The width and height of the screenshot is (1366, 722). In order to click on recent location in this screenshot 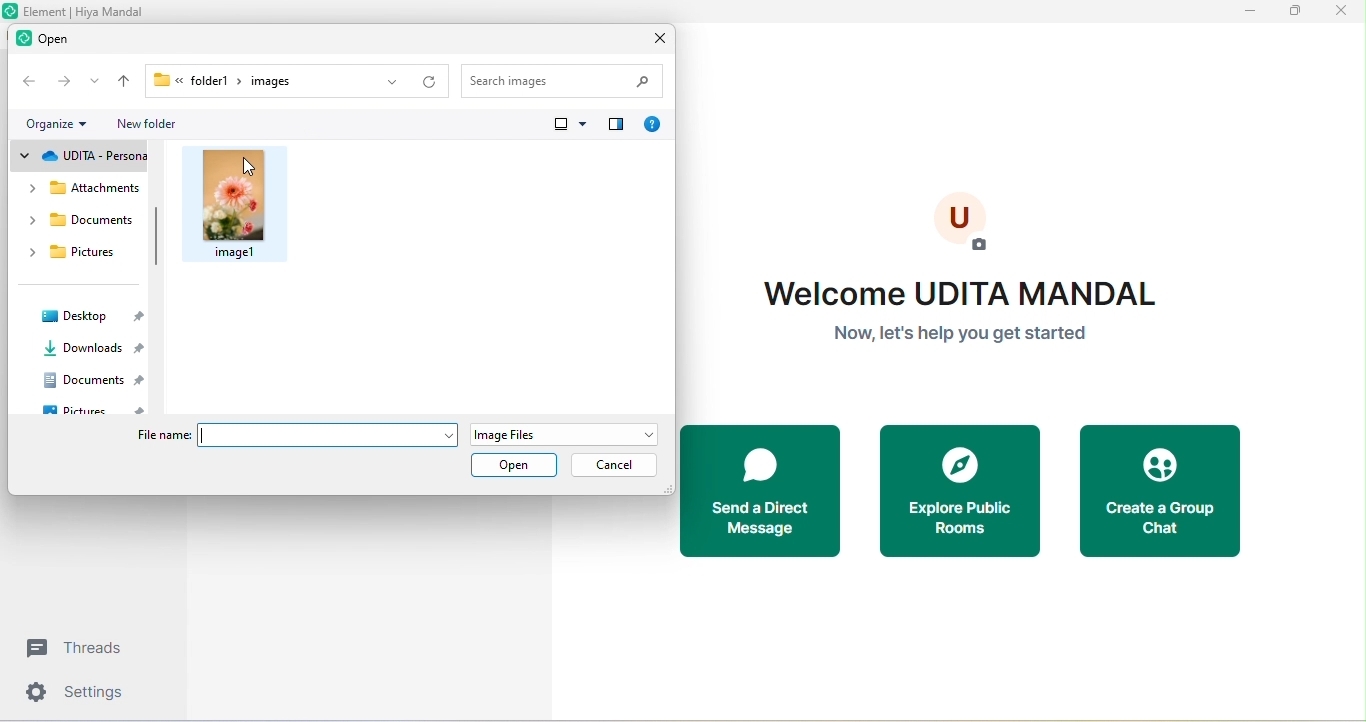, I will do `click(94, 83)`.